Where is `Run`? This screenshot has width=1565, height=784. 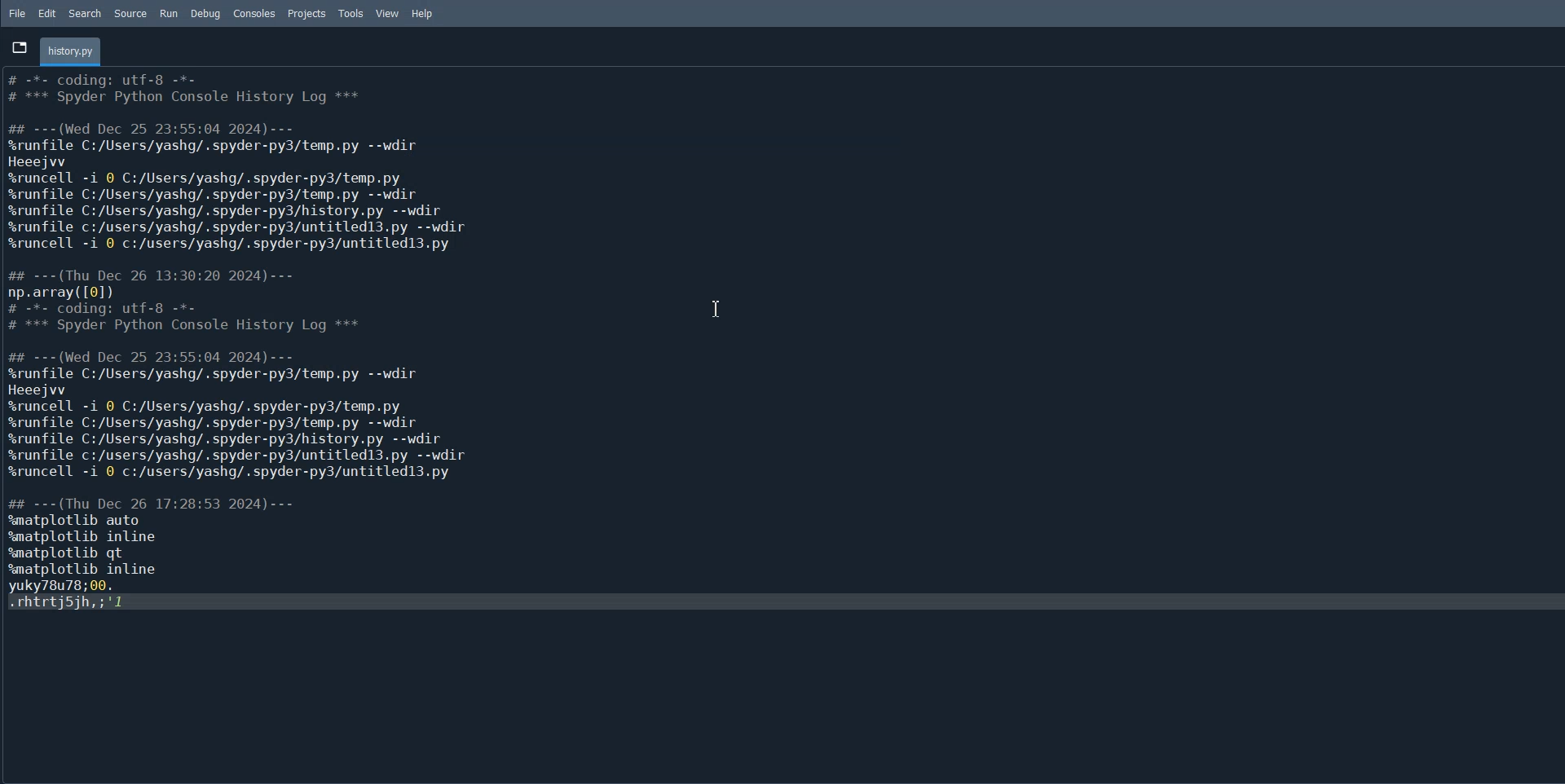 Run is located at coordinates (169, 14).